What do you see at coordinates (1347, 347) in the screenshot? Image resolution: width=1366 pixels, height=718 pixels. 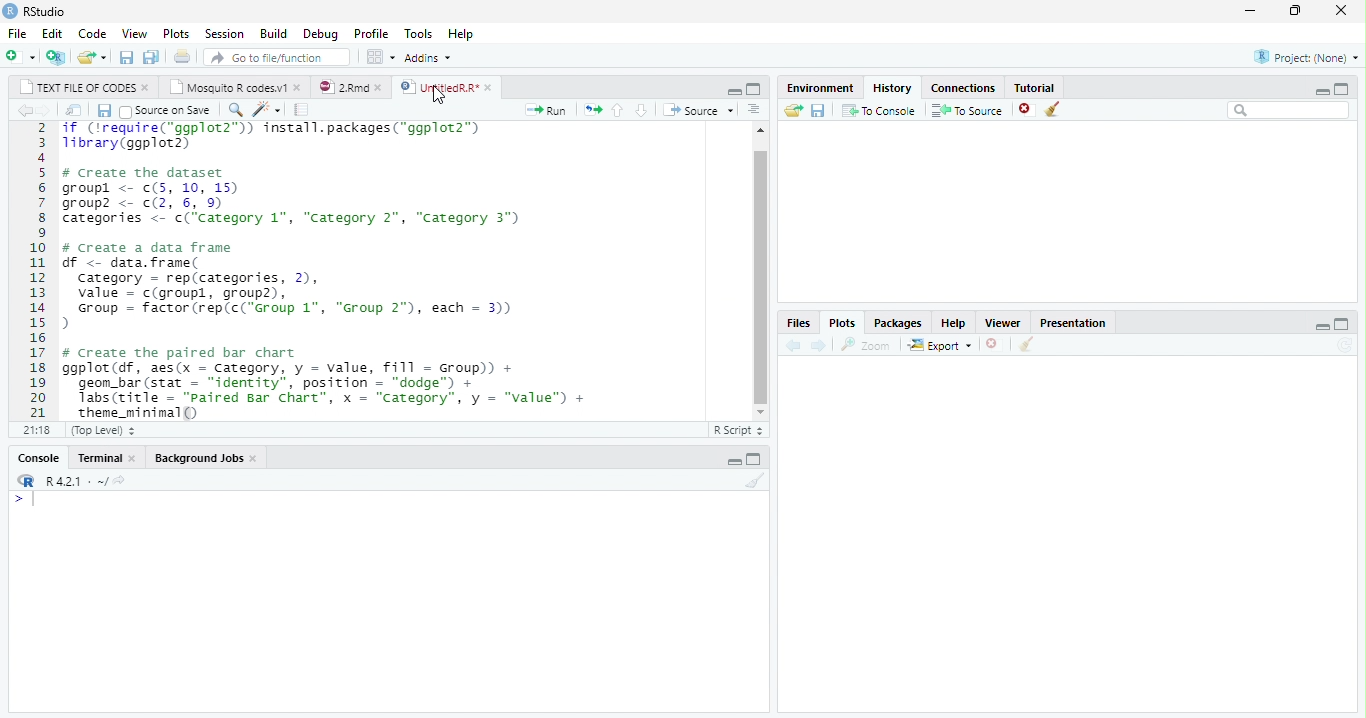 I see `sync` at bounding box center [1347, 347].